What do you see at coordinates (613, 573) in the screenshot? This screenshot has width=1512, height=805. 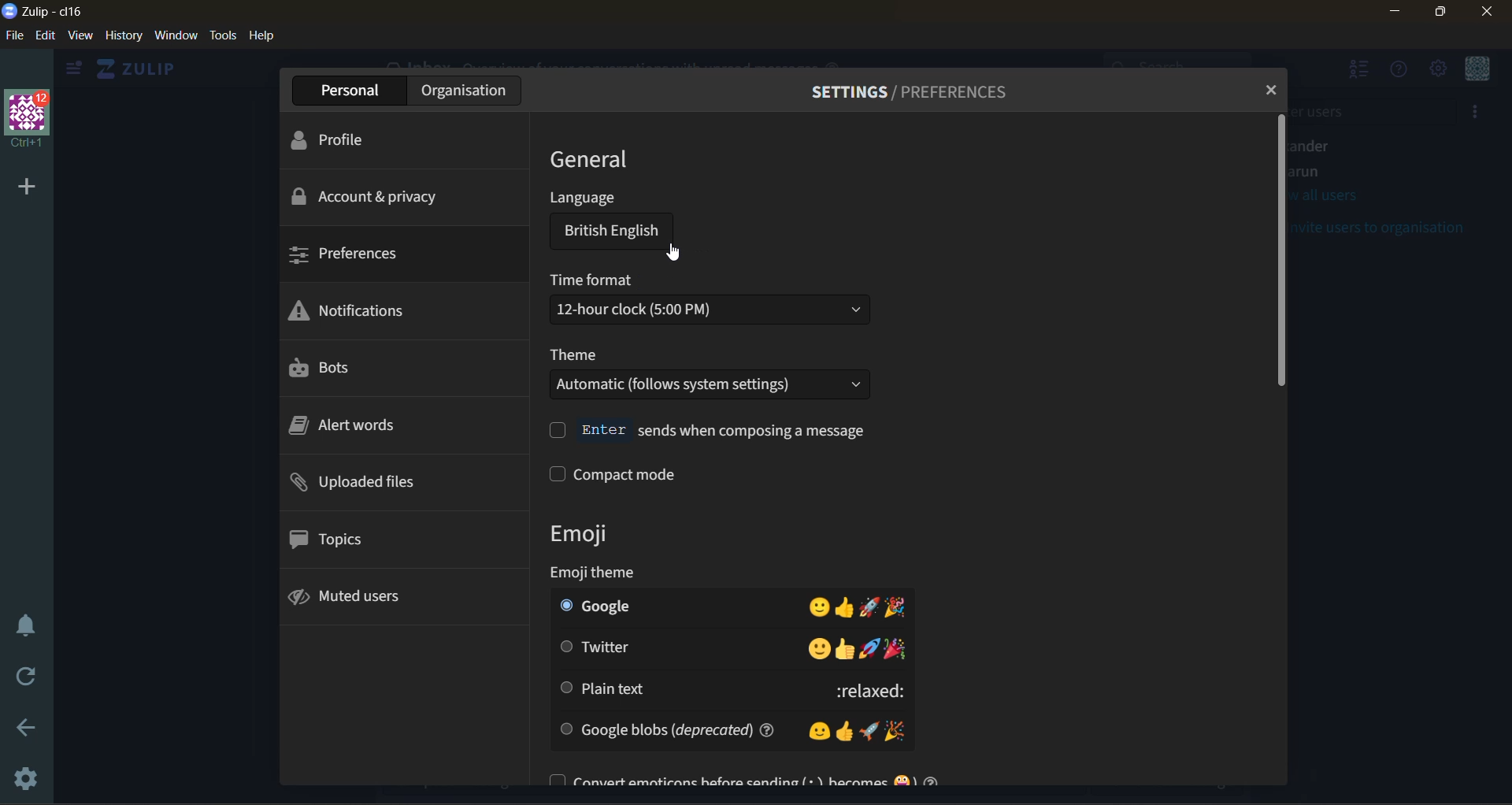 I see `emoji theme` at bounding box center [613, 573].